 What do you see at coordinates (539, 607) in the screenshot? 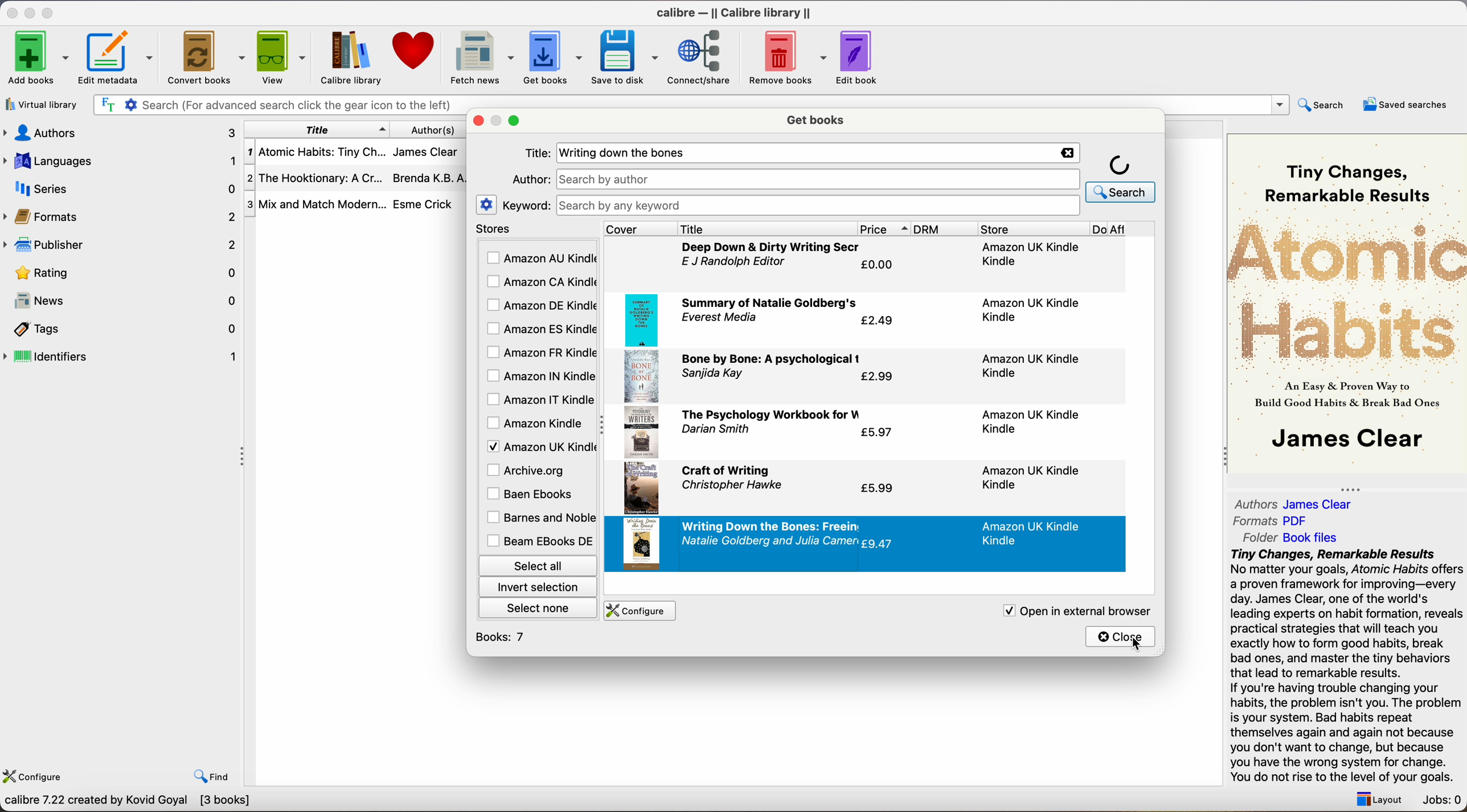
I see `select none` at bounding box center [539, 607].